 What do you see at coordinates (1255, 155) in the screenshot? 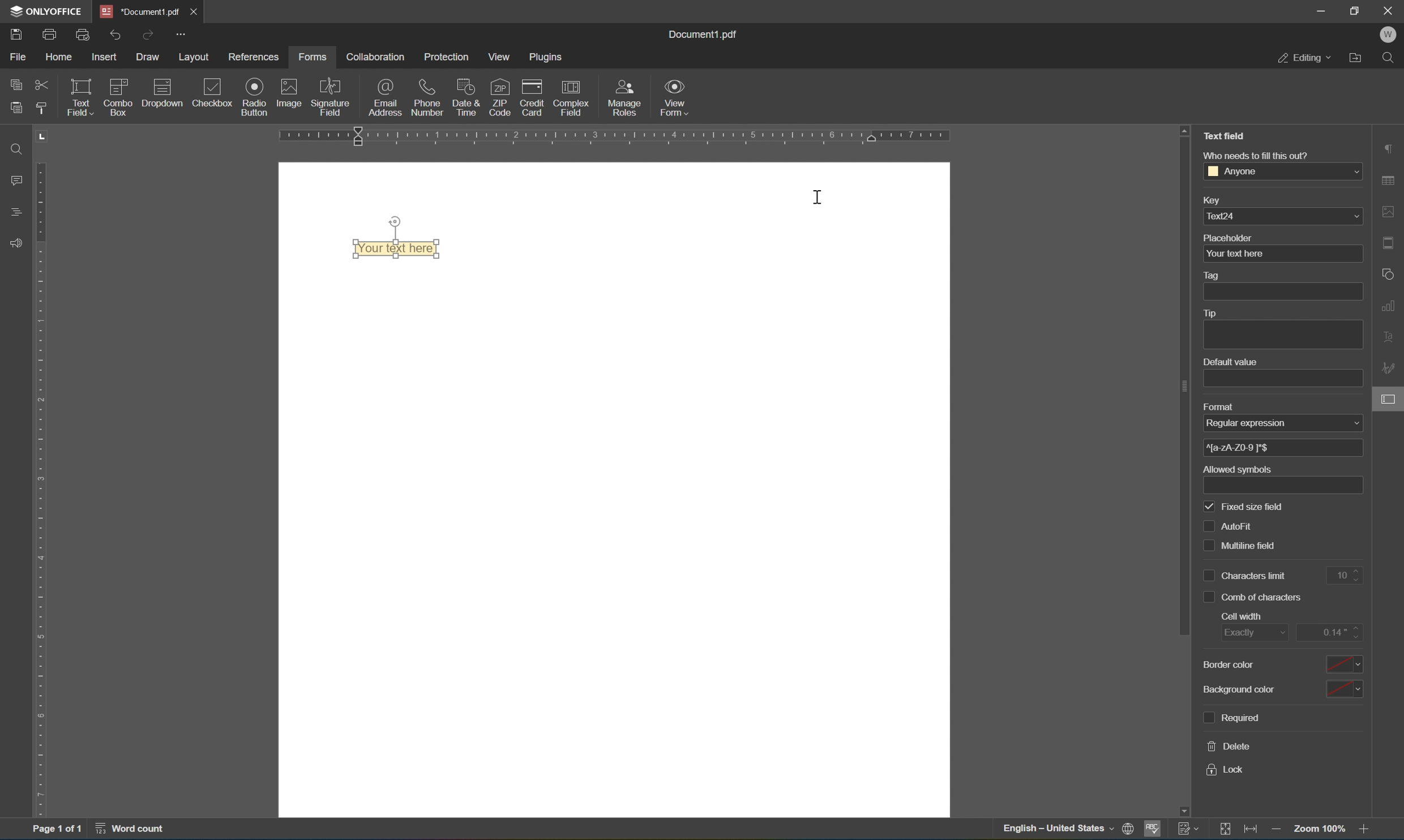
I see `who needs to fill this out?` at bounding box center [1255, 155].